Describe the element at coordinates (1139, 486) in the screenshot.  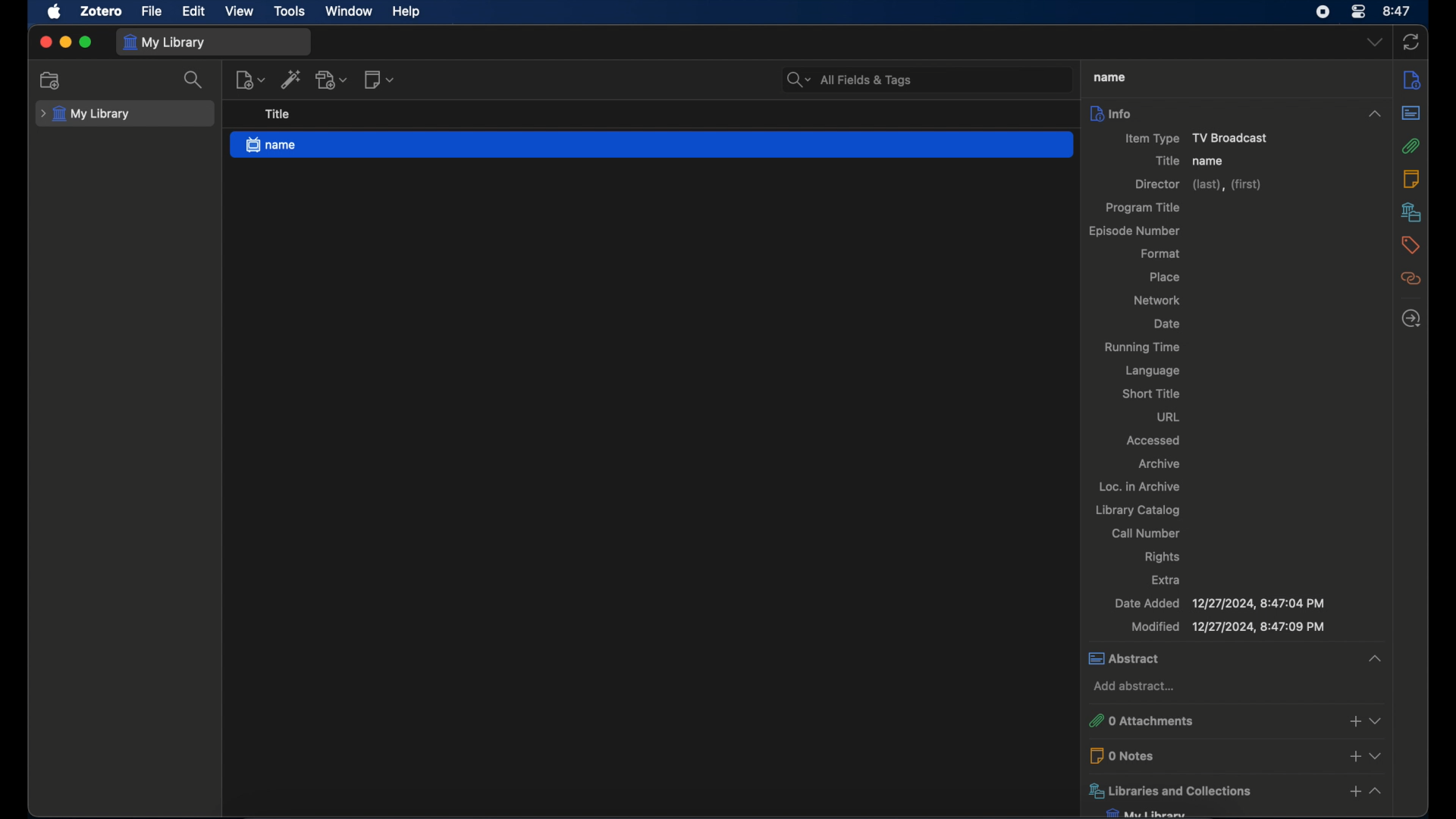
I see `loc. in archive` at that location.